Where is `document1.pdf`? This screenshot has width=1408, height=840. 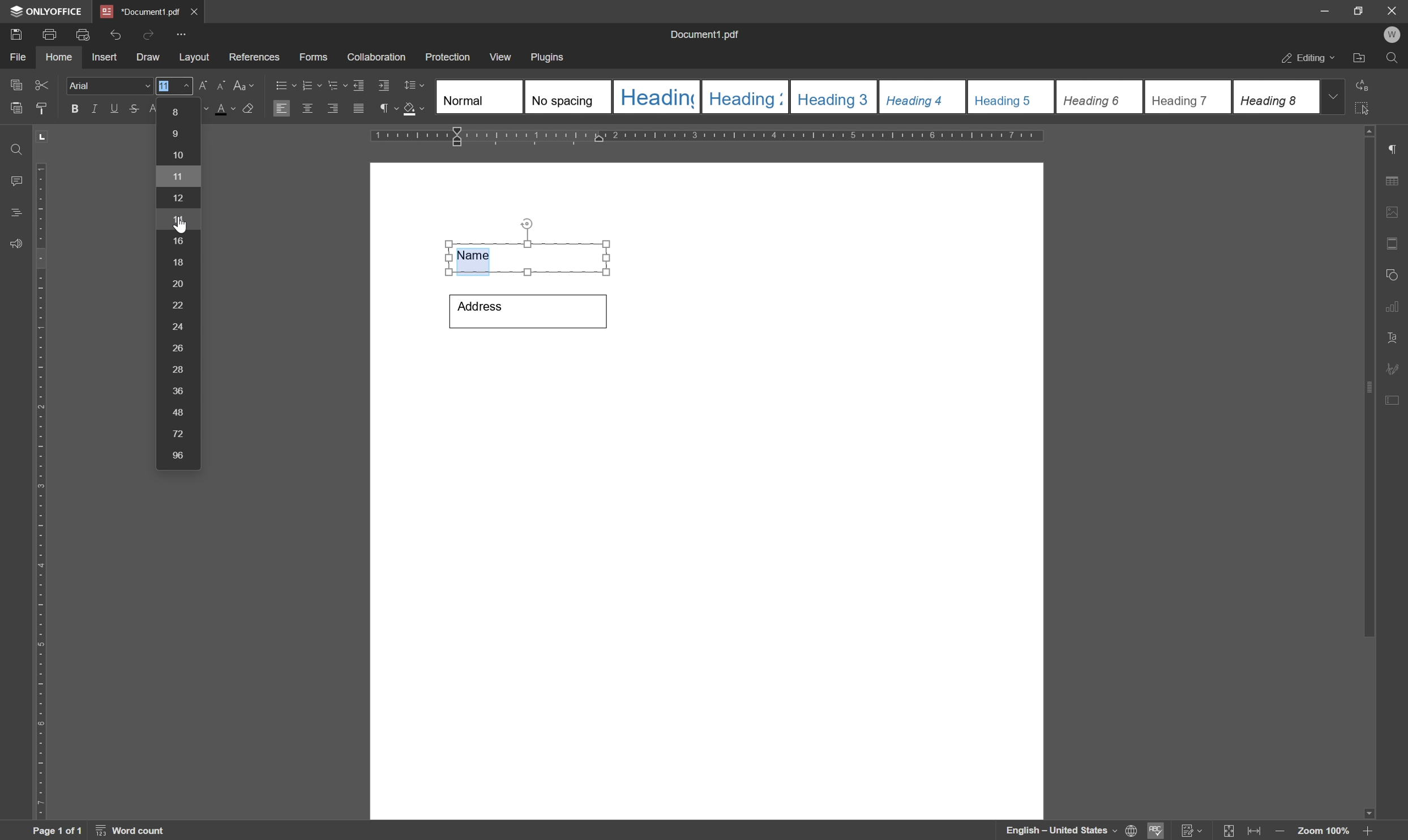 document1.pdf is located at coordinates (707, 36).